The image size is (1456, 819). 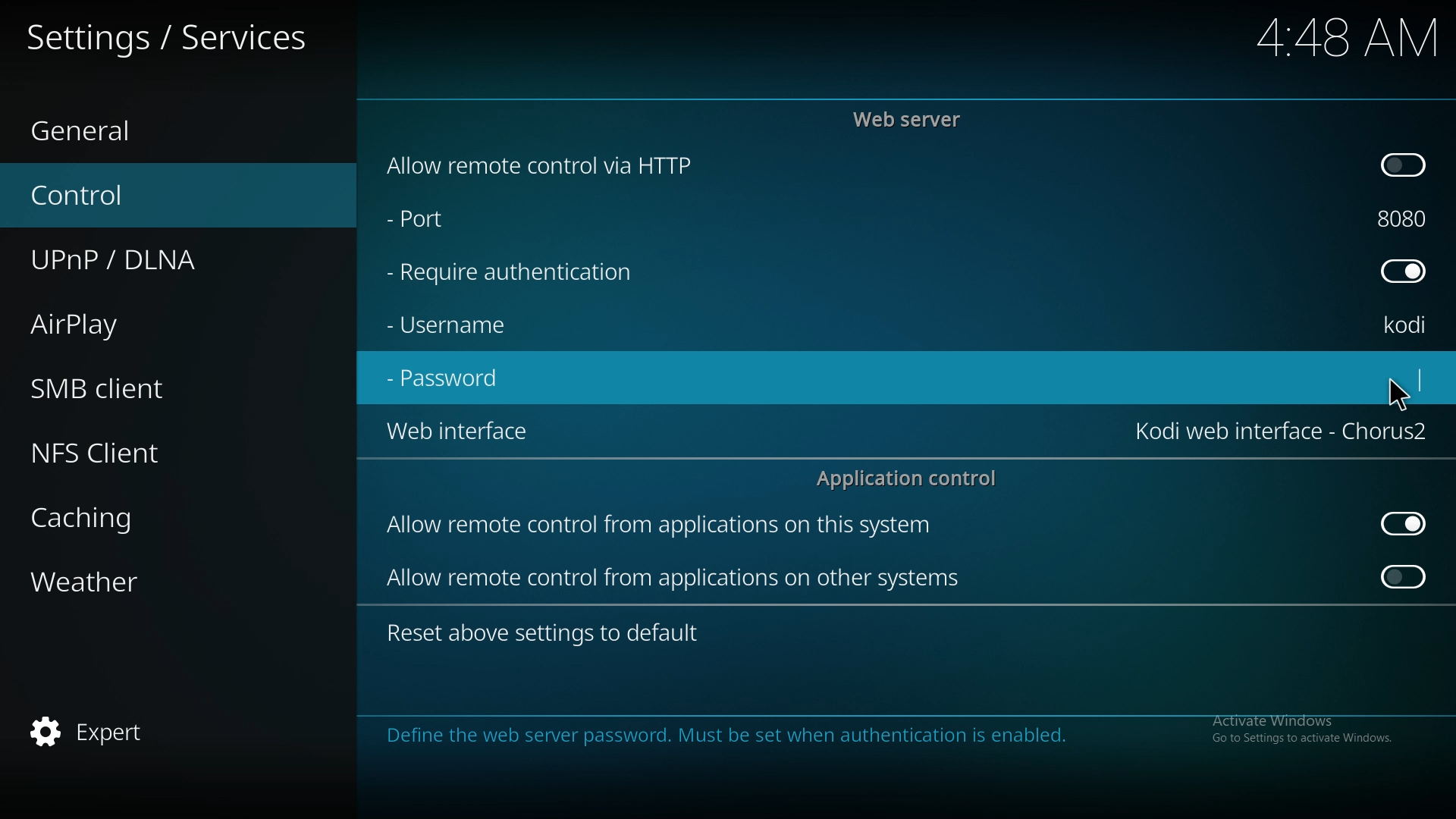 What do you see at coordinates (182, 35) in the screenshot?
I see `services` at bounding box center [182, 35].